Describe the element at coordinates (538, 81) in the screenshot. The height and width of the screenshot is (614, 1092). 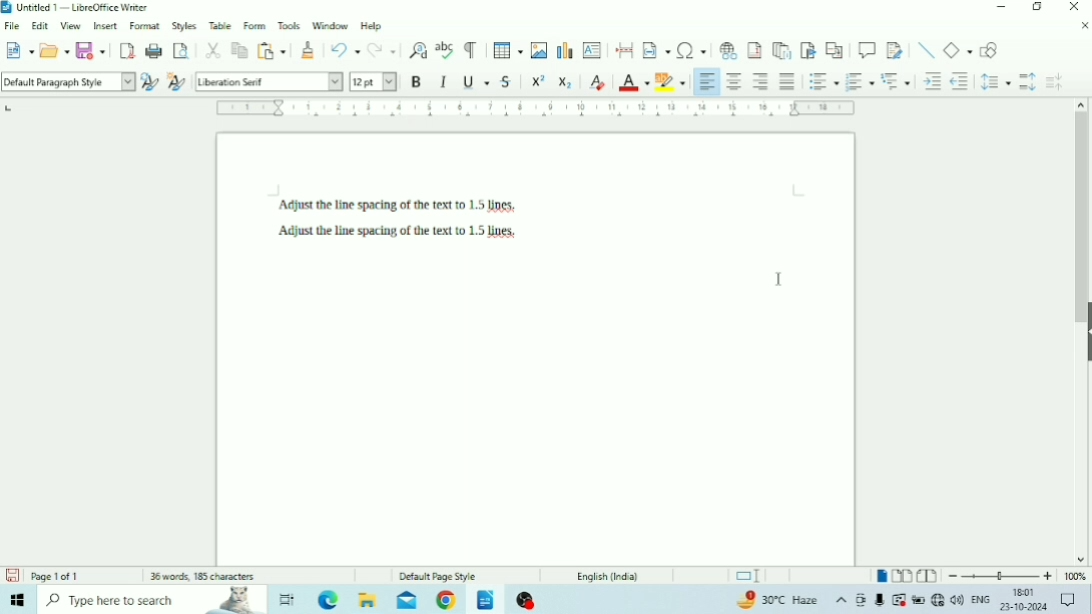
I see `Superscript` at that location.